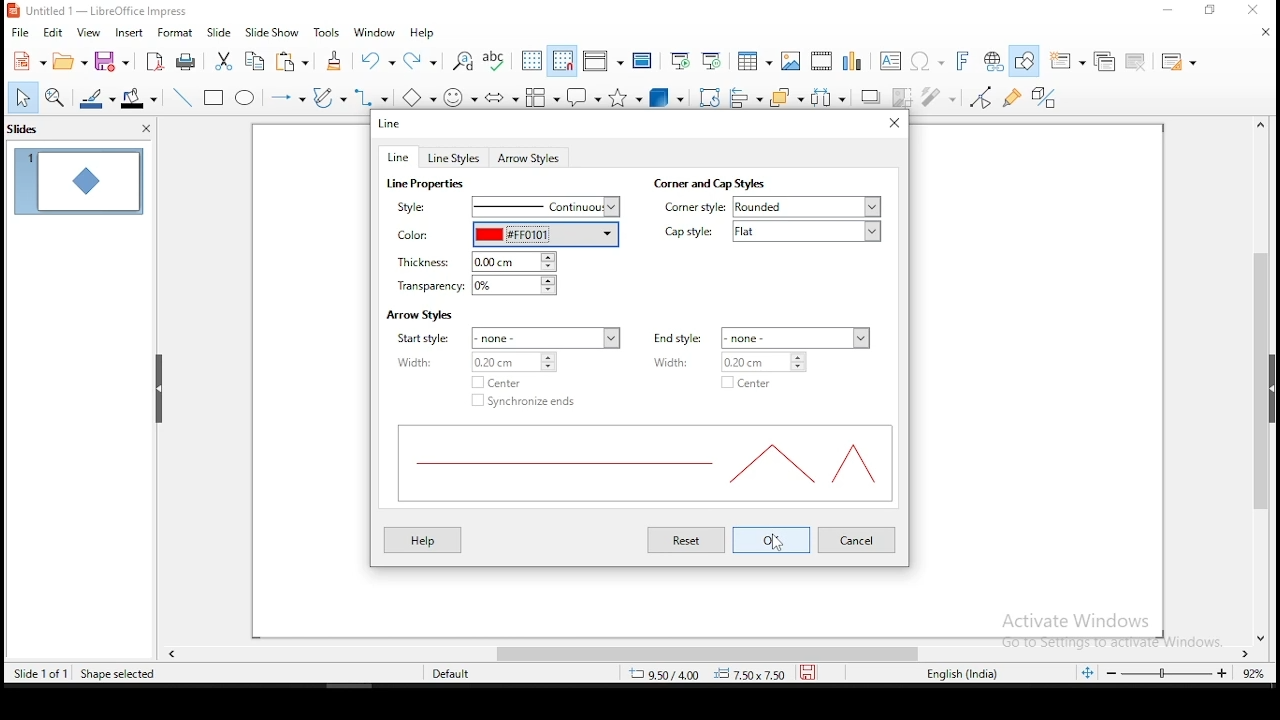 Image resolution: width=1280 pixels, height=720 pixels. Describe the element at coordinates (1257, 385) in the screenshot. I see `scroll bar` at that location.